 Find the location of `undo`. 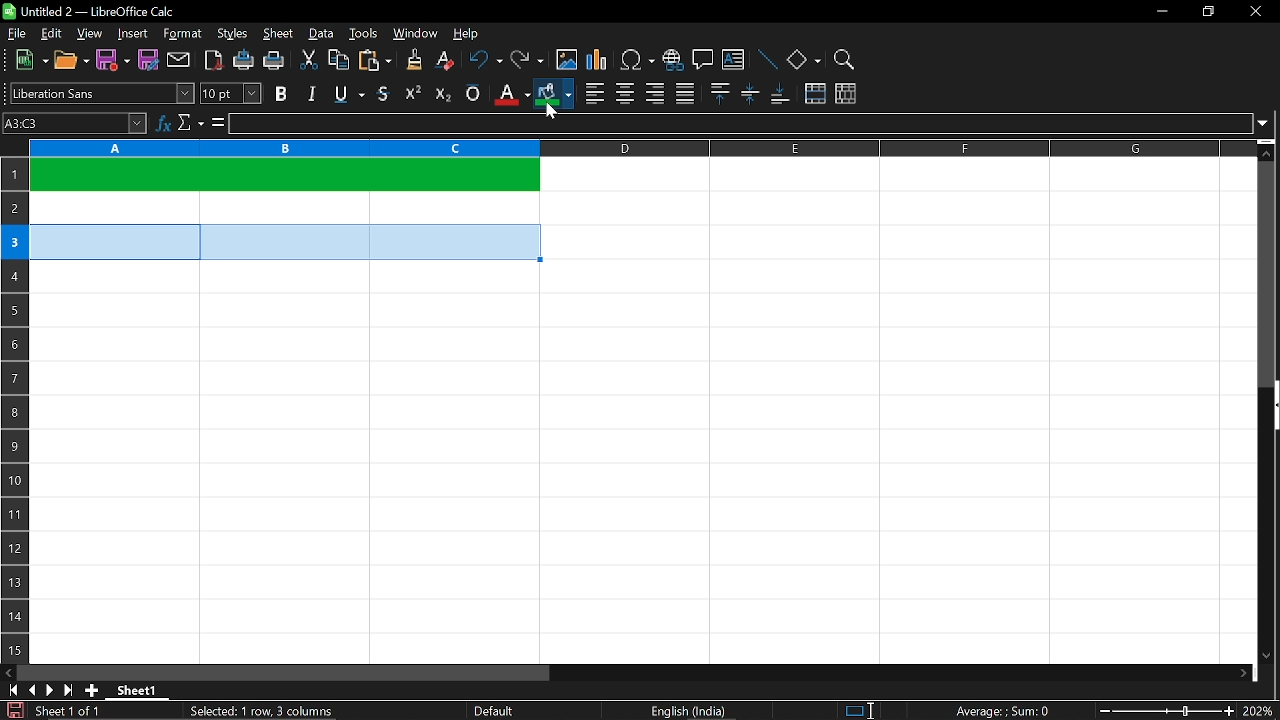

undo is located at coordinates (484, 61).